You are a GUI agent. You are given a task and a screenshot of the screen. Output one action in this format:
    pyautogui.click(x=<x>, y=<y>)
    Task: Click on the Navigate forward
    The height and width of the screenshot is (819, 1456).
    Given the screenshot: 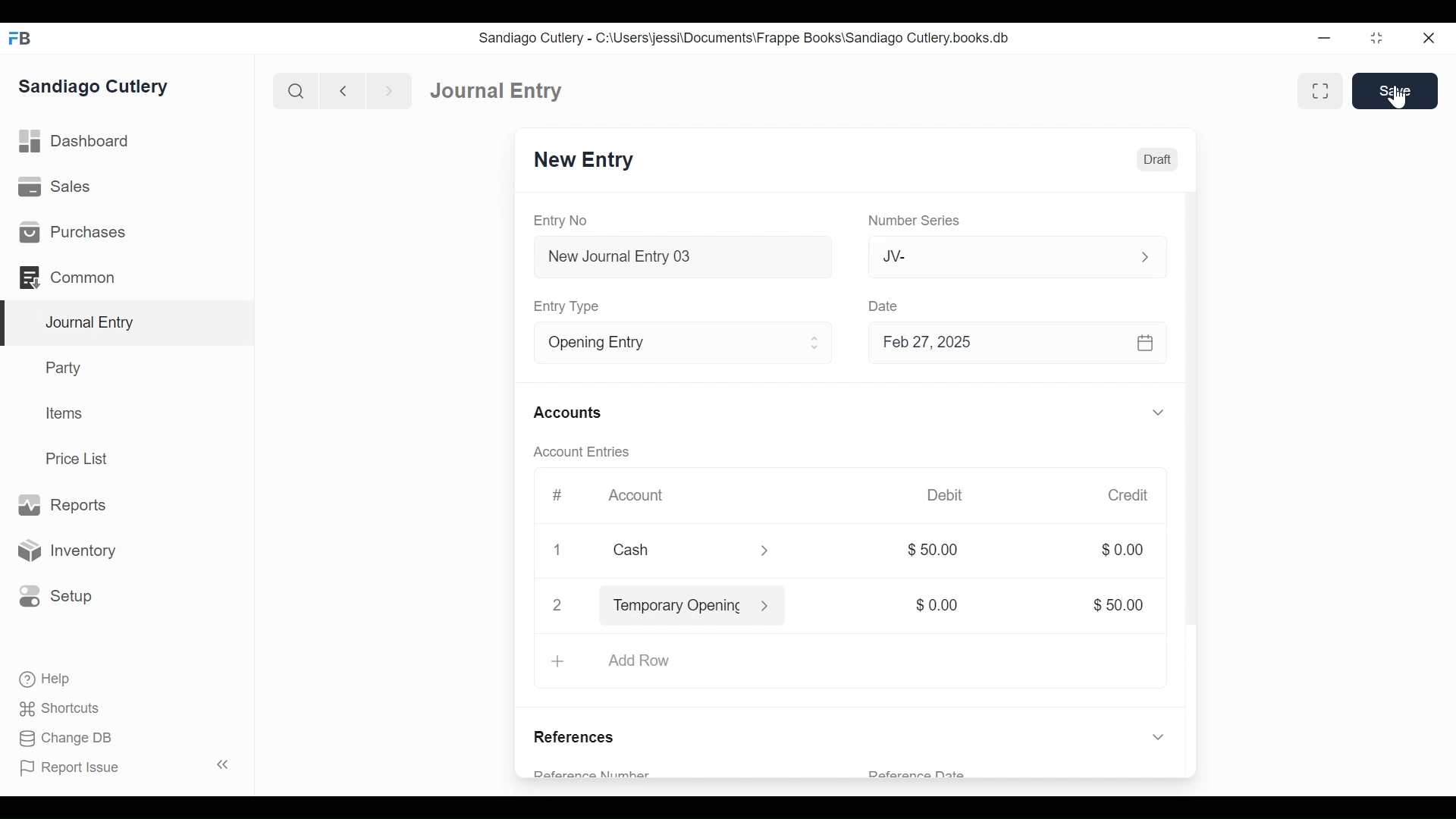 What is the action you would take?
    pyautogui.click(x=388, y=91)
    